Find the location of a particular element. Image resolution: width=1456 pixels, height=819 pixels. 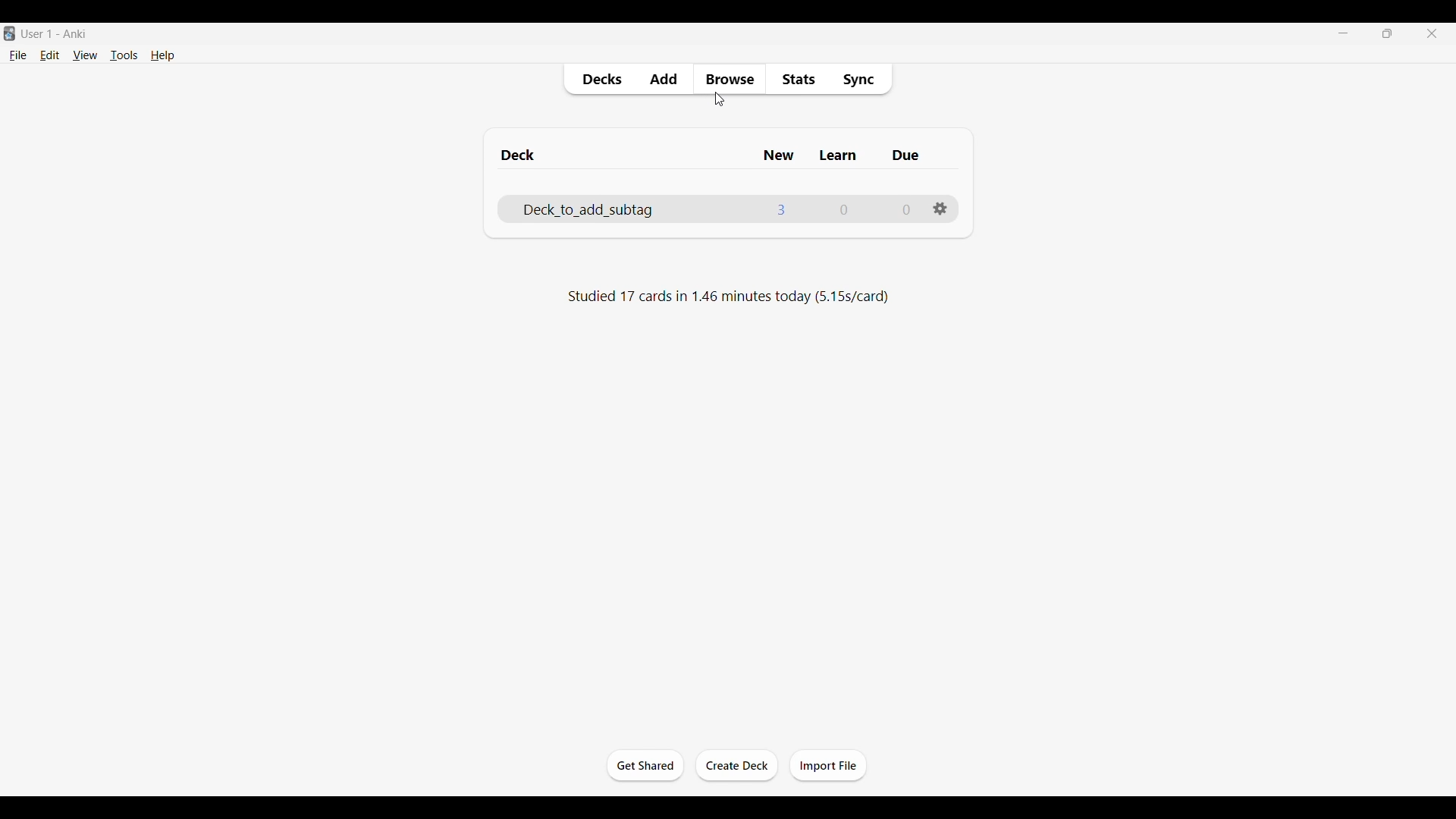

Column for newly added cards is located at coordinates (778, 156).